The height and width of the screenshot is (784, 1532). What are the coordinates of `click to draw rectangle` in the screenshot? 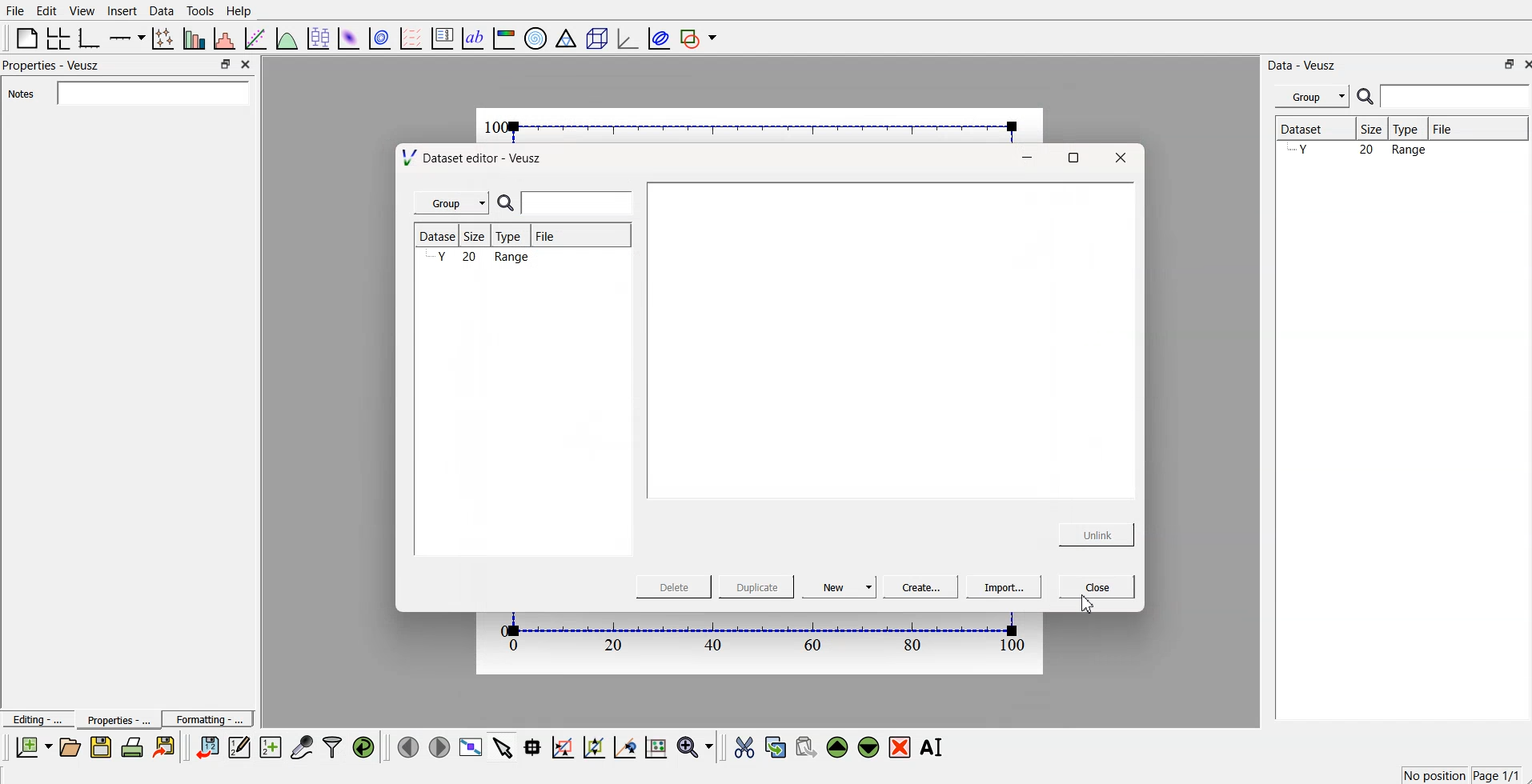 It's located at (563, 746).